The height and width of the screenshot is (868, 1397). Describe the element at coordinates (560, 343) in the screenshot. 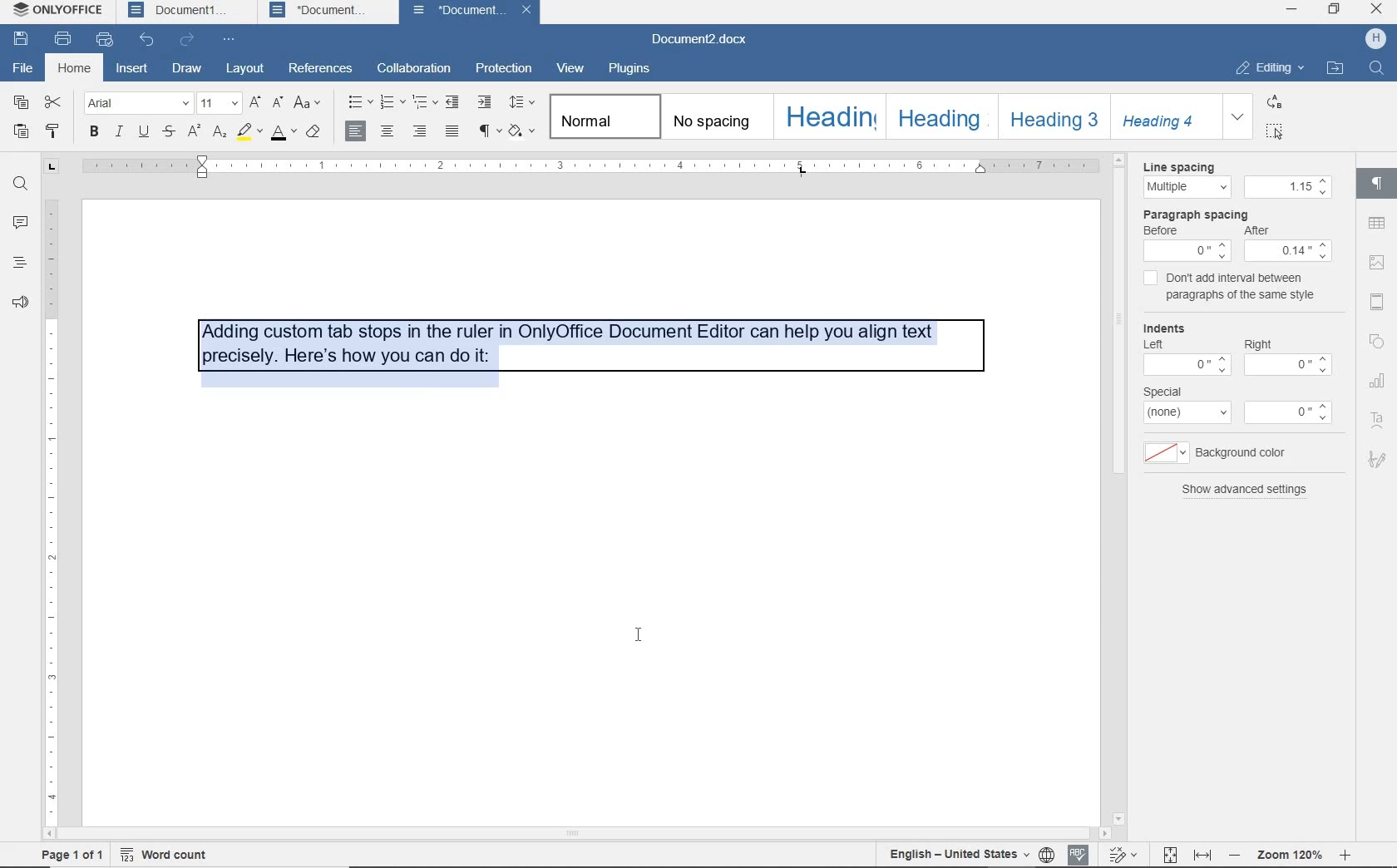

I see `Adding custom tab stops in the ruler in OnlyOffice Document Editor can help you align text
precisely. Here's how you can do it:` at that location.